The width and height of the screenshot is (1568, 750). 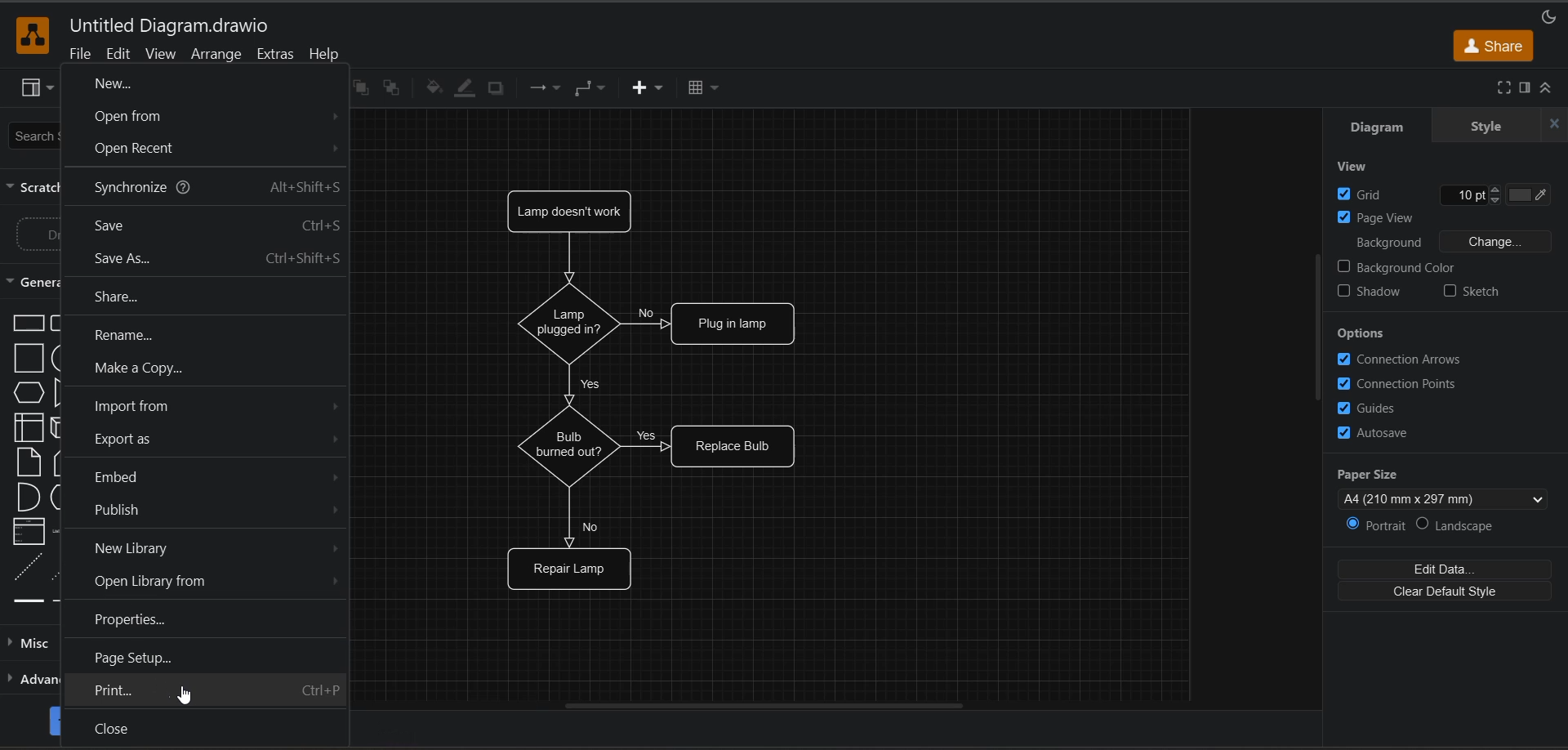 I want to click on fullscreen, so click(x=1497, y=88).